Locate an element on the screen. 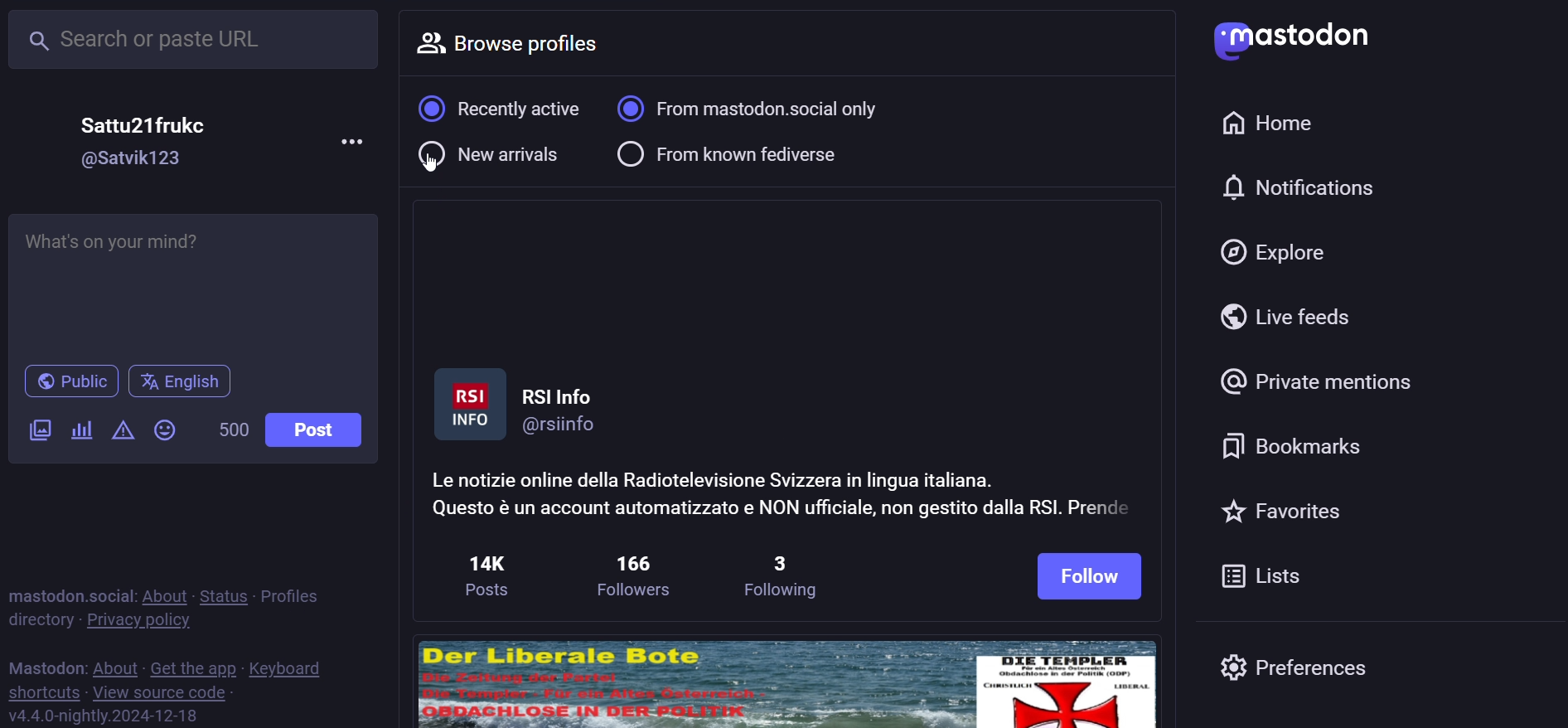  directory is located at coordinates (36, 620).